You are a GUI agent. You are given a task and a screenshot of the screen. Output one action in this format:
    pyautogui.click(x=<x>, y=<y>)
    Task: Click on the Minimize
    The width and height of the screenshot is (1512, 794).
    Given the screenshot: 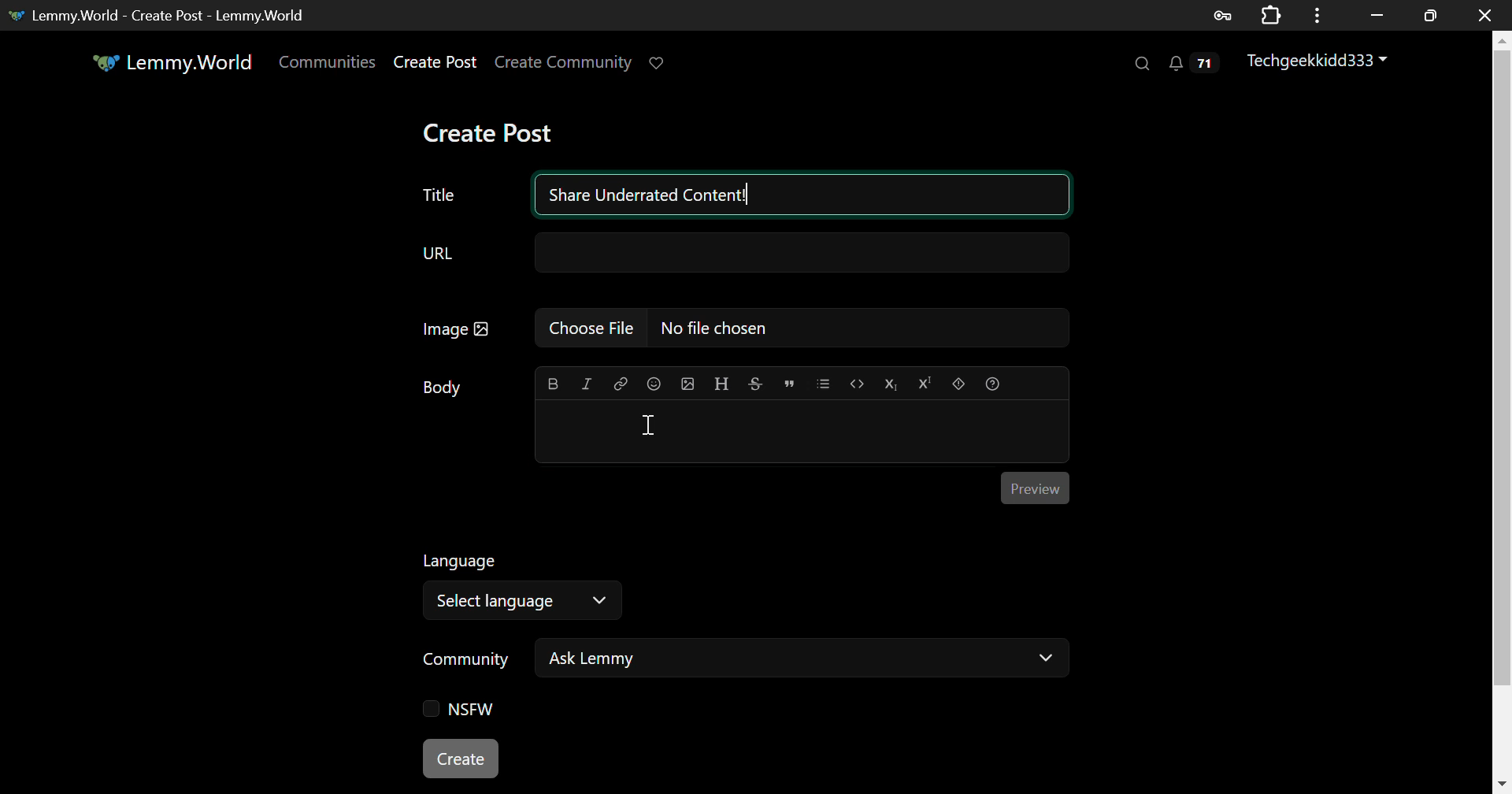 What is the action you would take?
    pyautogui.click(x=1431, y=16)
    